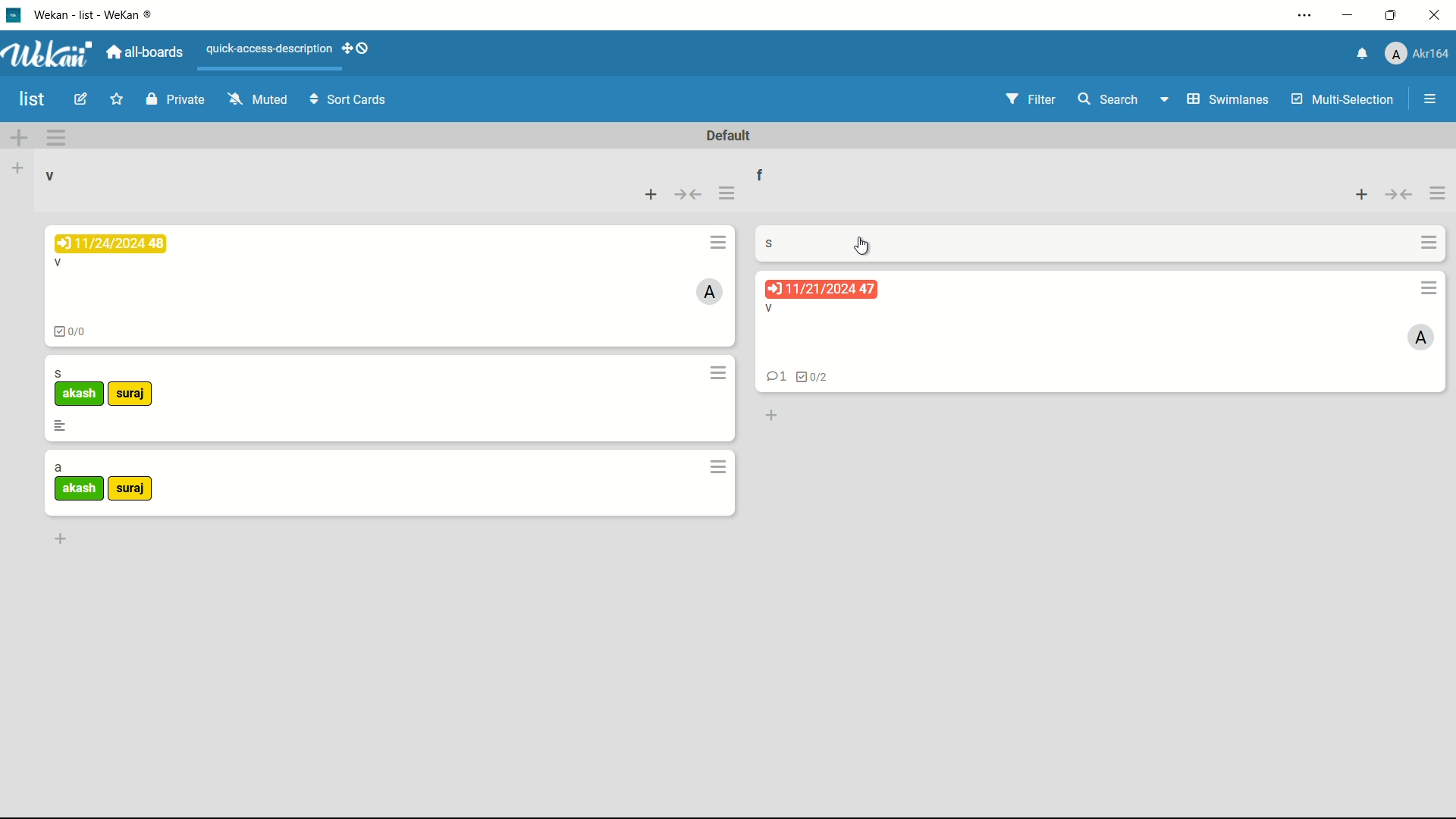  I want to click on star this board, so click(116, 99).